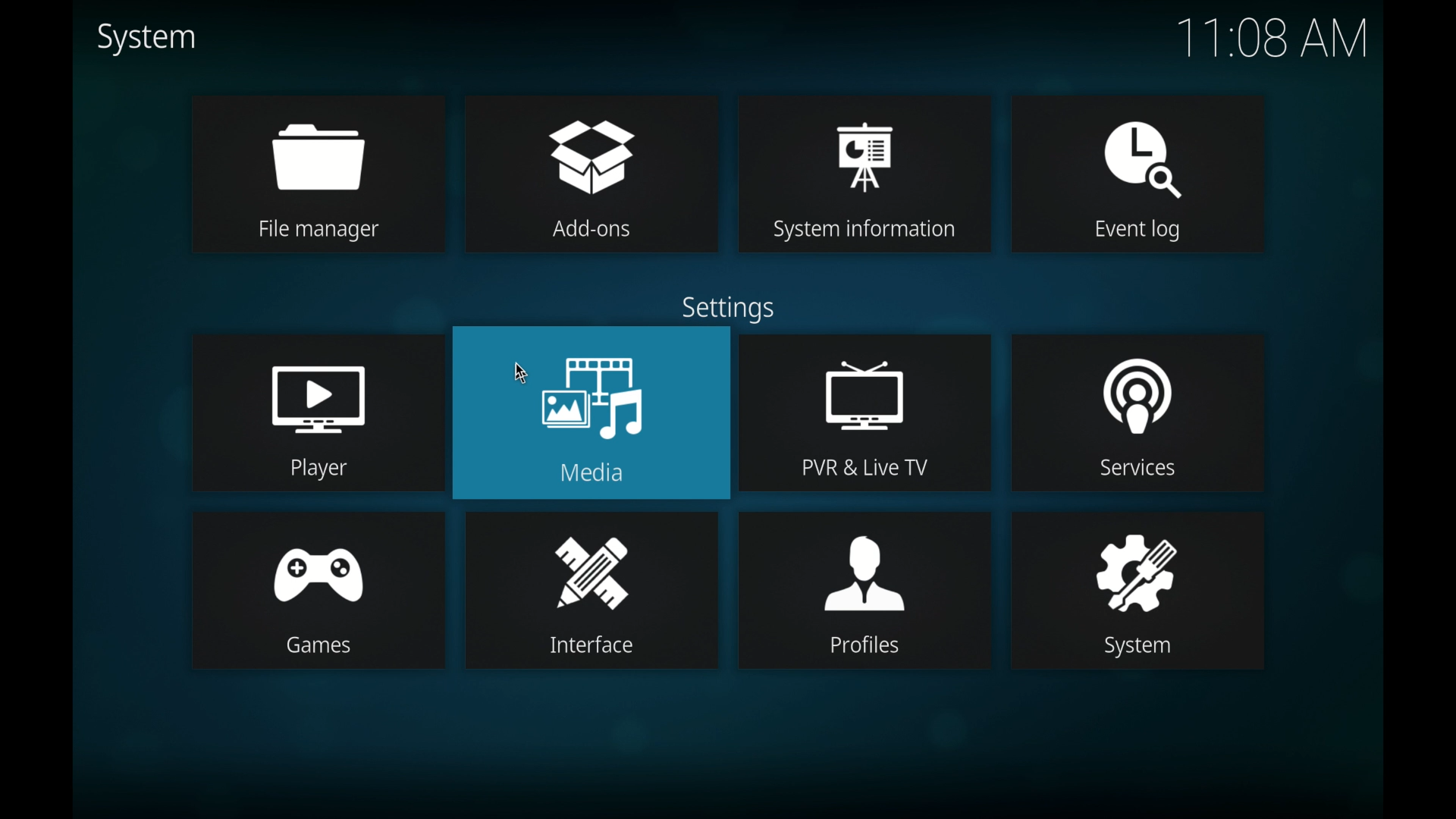  Describe the element at coordinates (591, 172) in the screenshot. I see `add-ons` at that location.